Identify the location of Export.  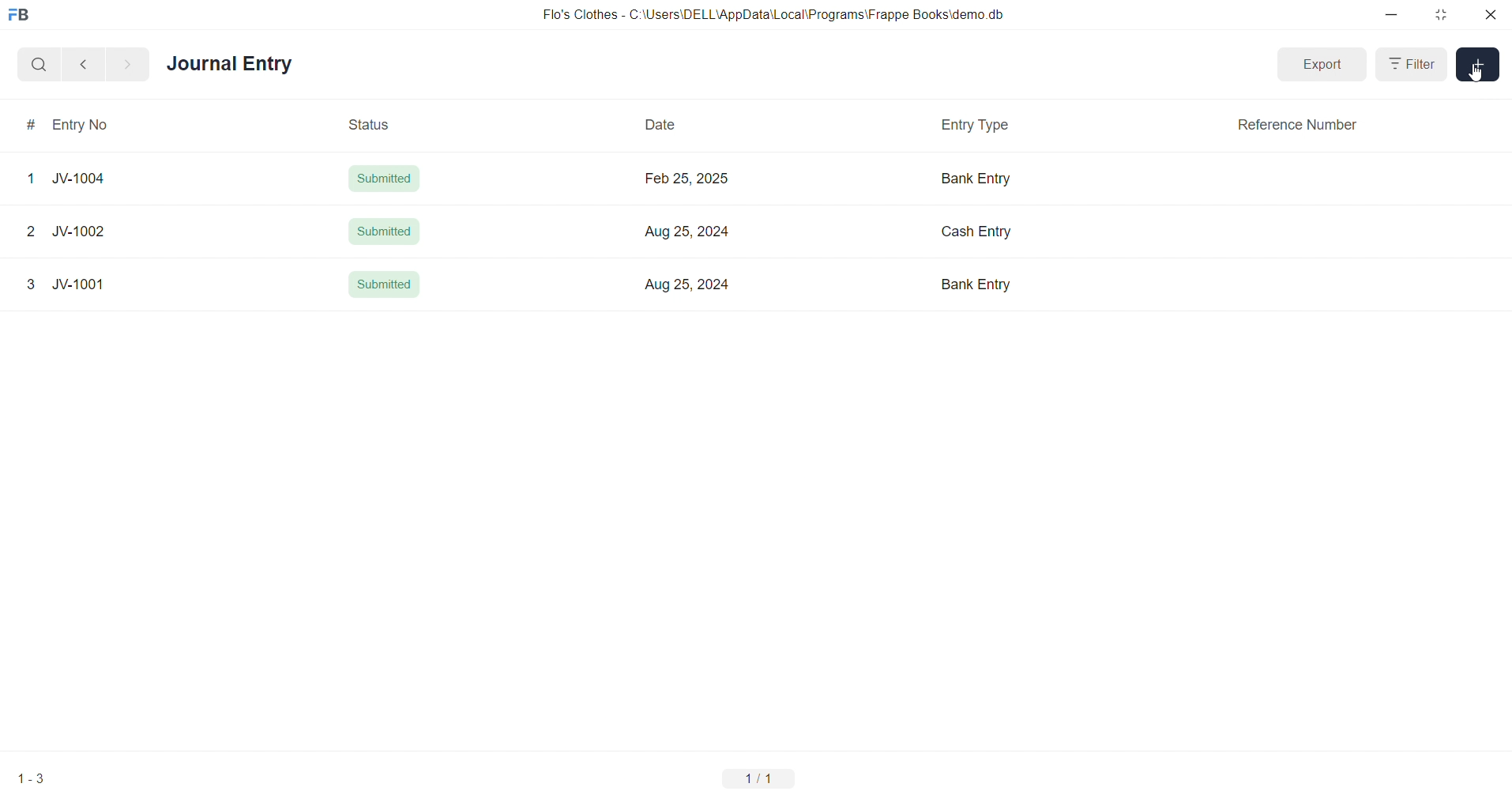
(1323, 63).